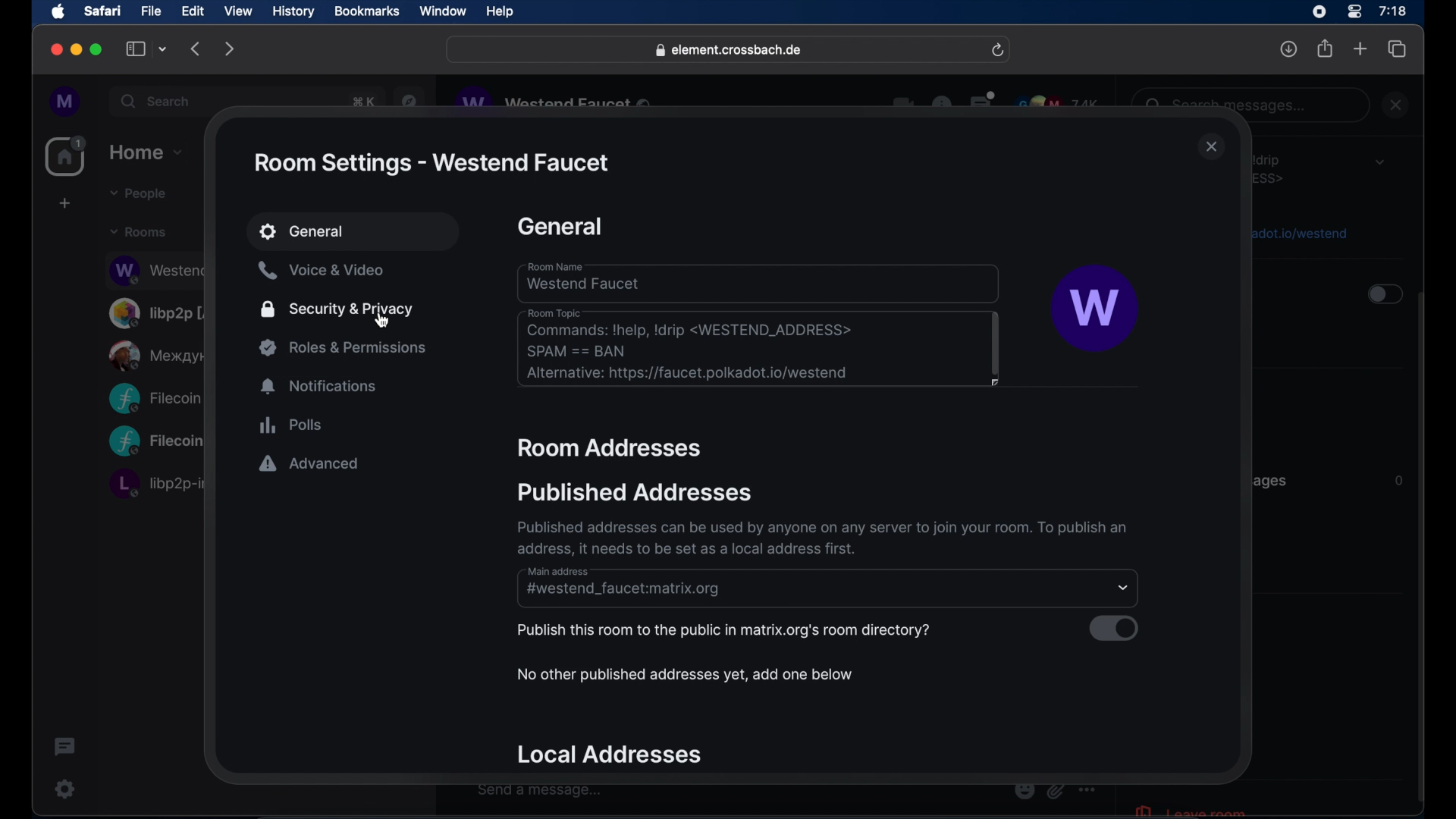 This screenshot has height=819, width=1456. What do you see at coordinates (1379, 162) in the screenshot?
I see `dropdown` at bounding box center [1379, 162].